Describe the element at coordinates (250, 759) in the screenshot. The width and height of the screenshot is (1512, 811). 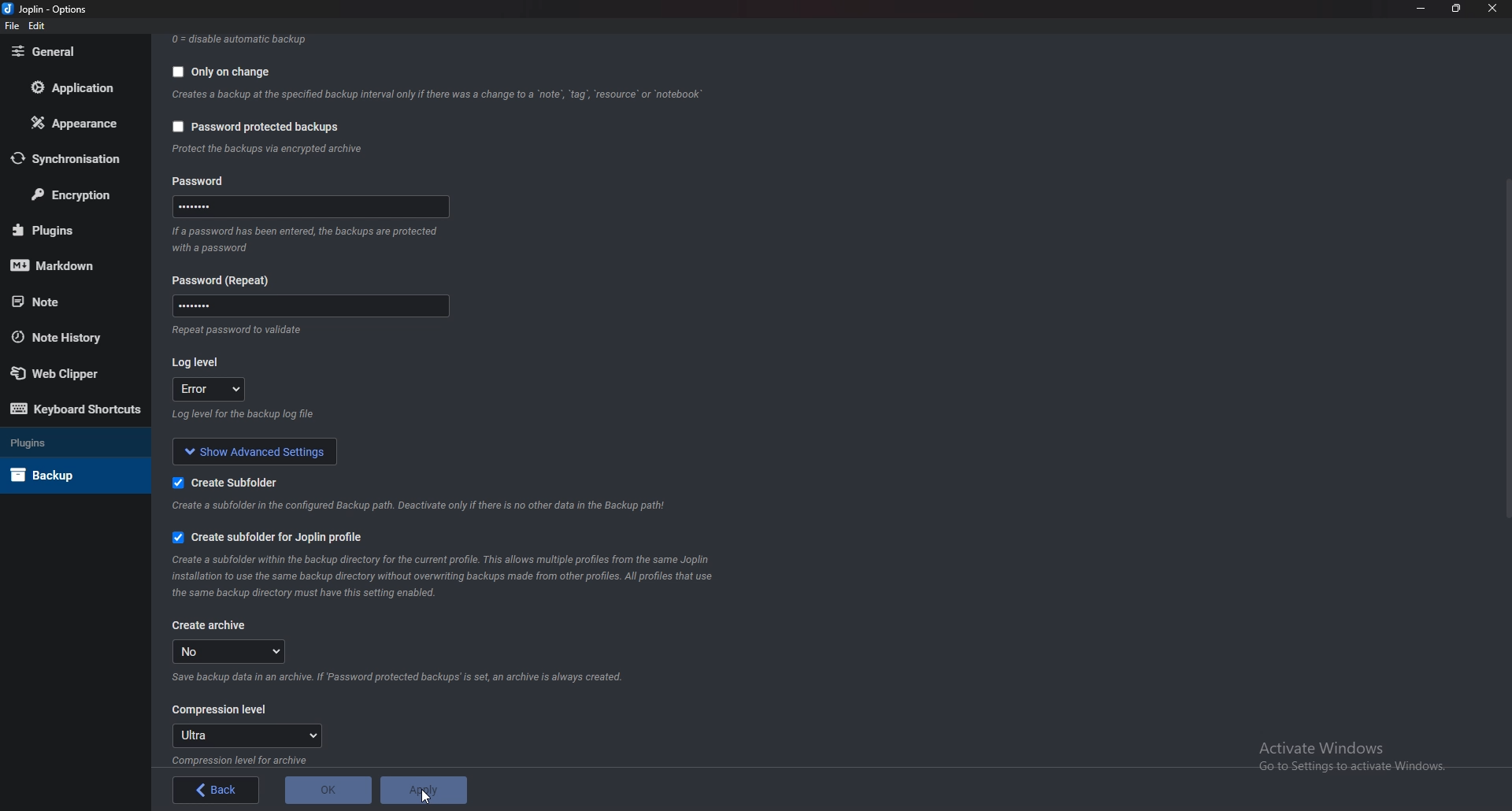
I see `info` at that location.